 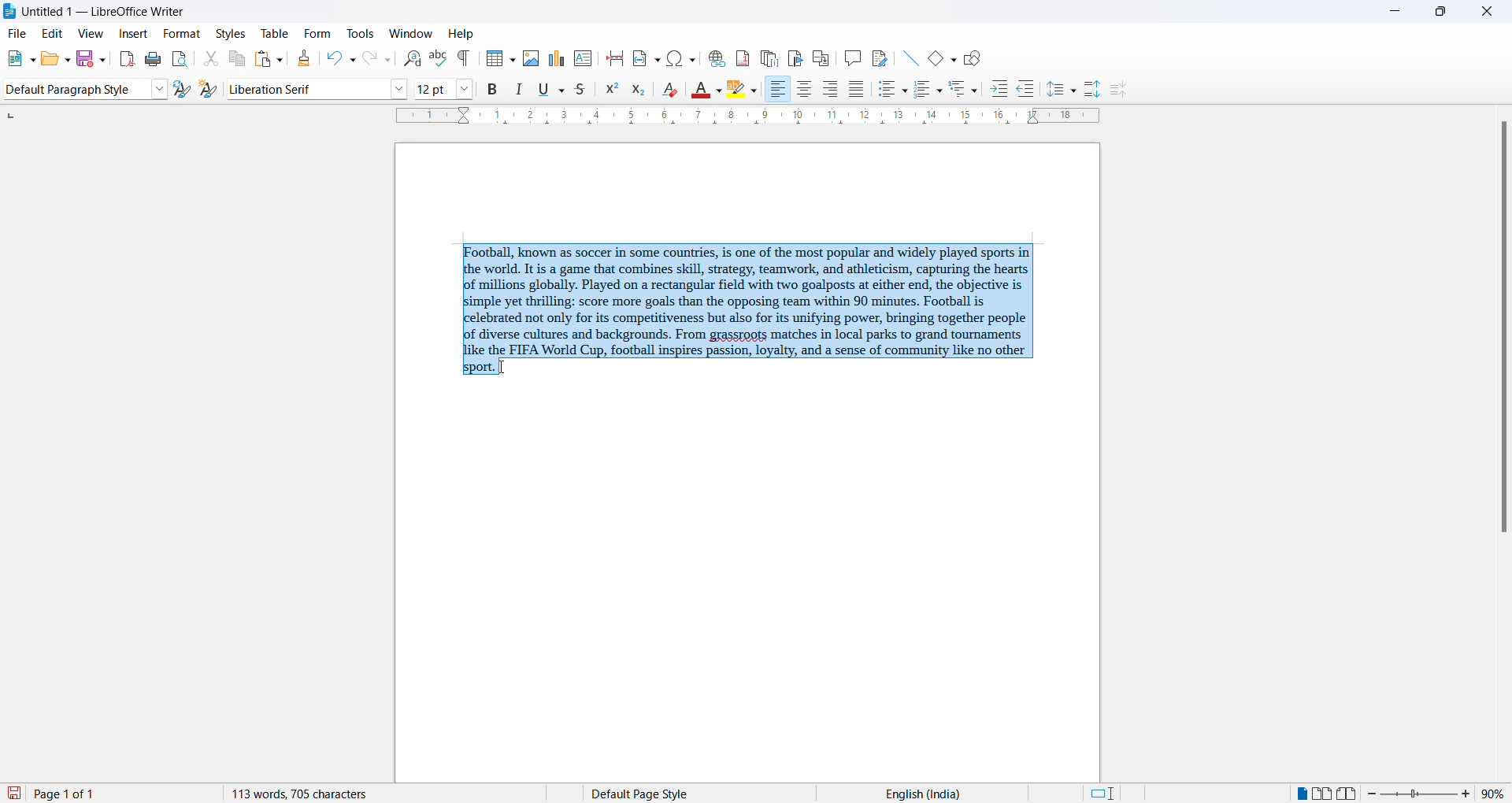 I want to click on spellings, so click(x=440, y=57).